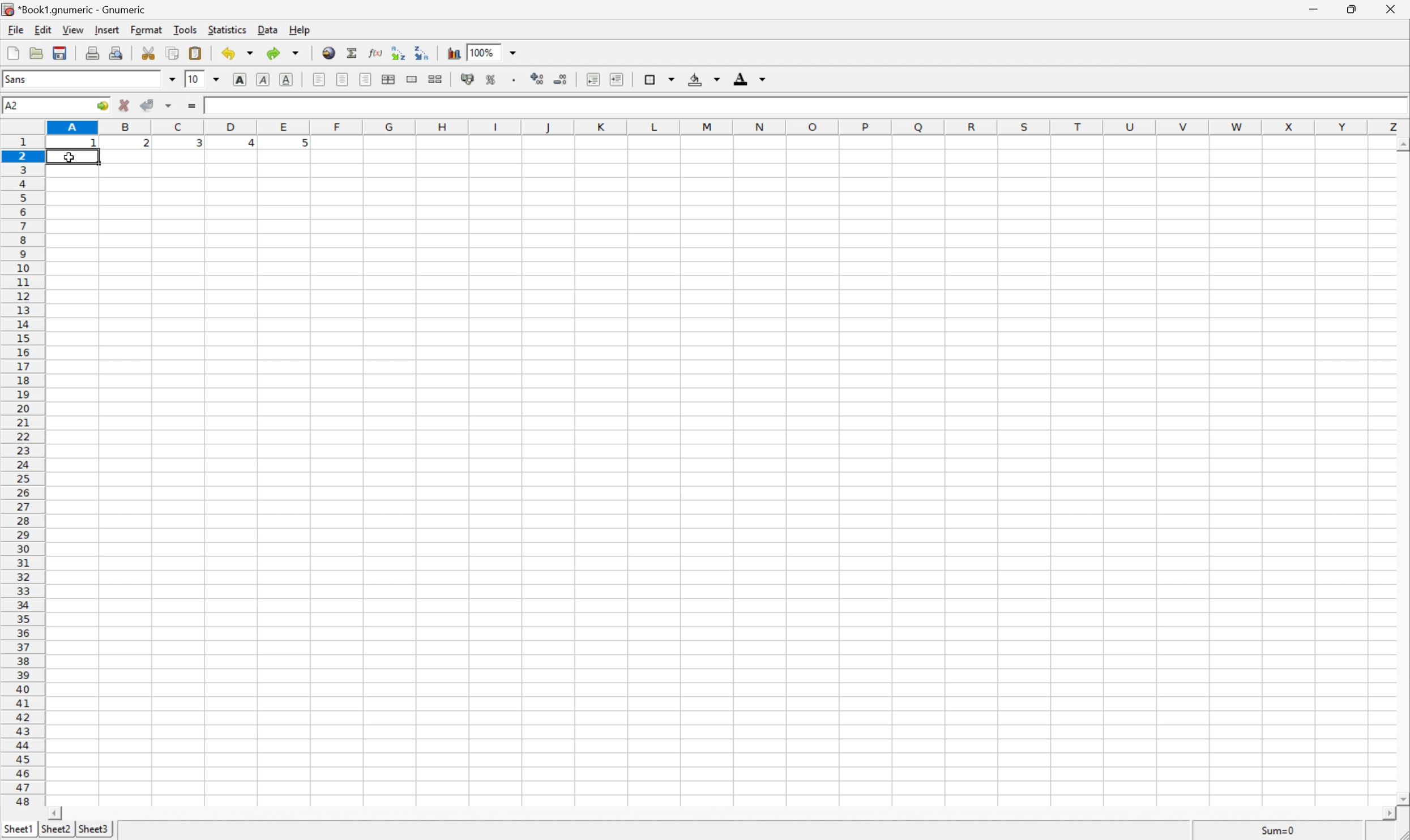 This screenshot has height=840, width=1410. I want to click on minimize, so click(1319, 10).